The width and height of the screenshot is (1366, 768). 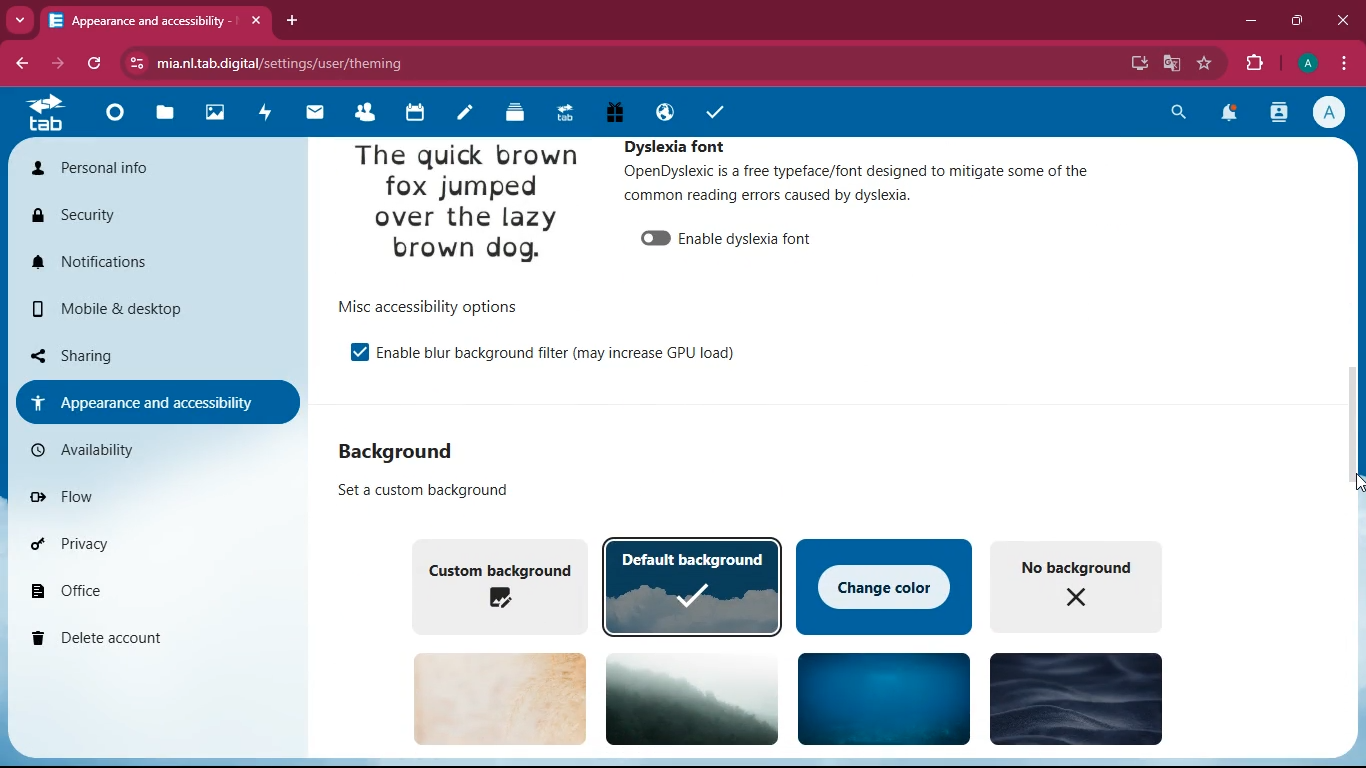 What do you see at coordinates (688, 144) in the screenshot?
I see `dyslexia font` at bounding box center [688, 144].